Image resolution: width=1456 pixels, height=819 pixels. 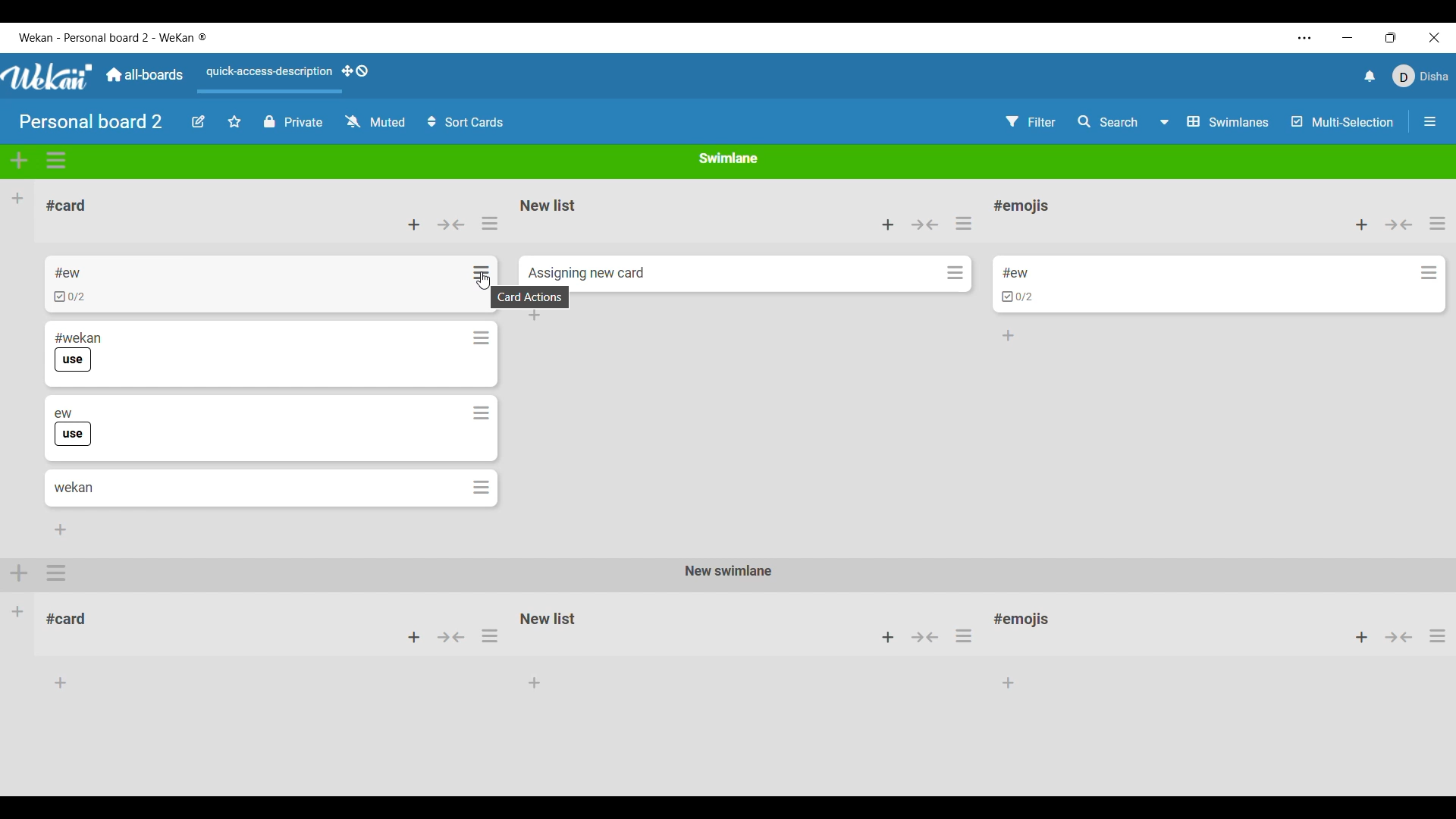 What do you see at coordinates (479, 380) in the screenshot?
I see `Card actions of each respective card in the list` at bounding box center [479, 380].